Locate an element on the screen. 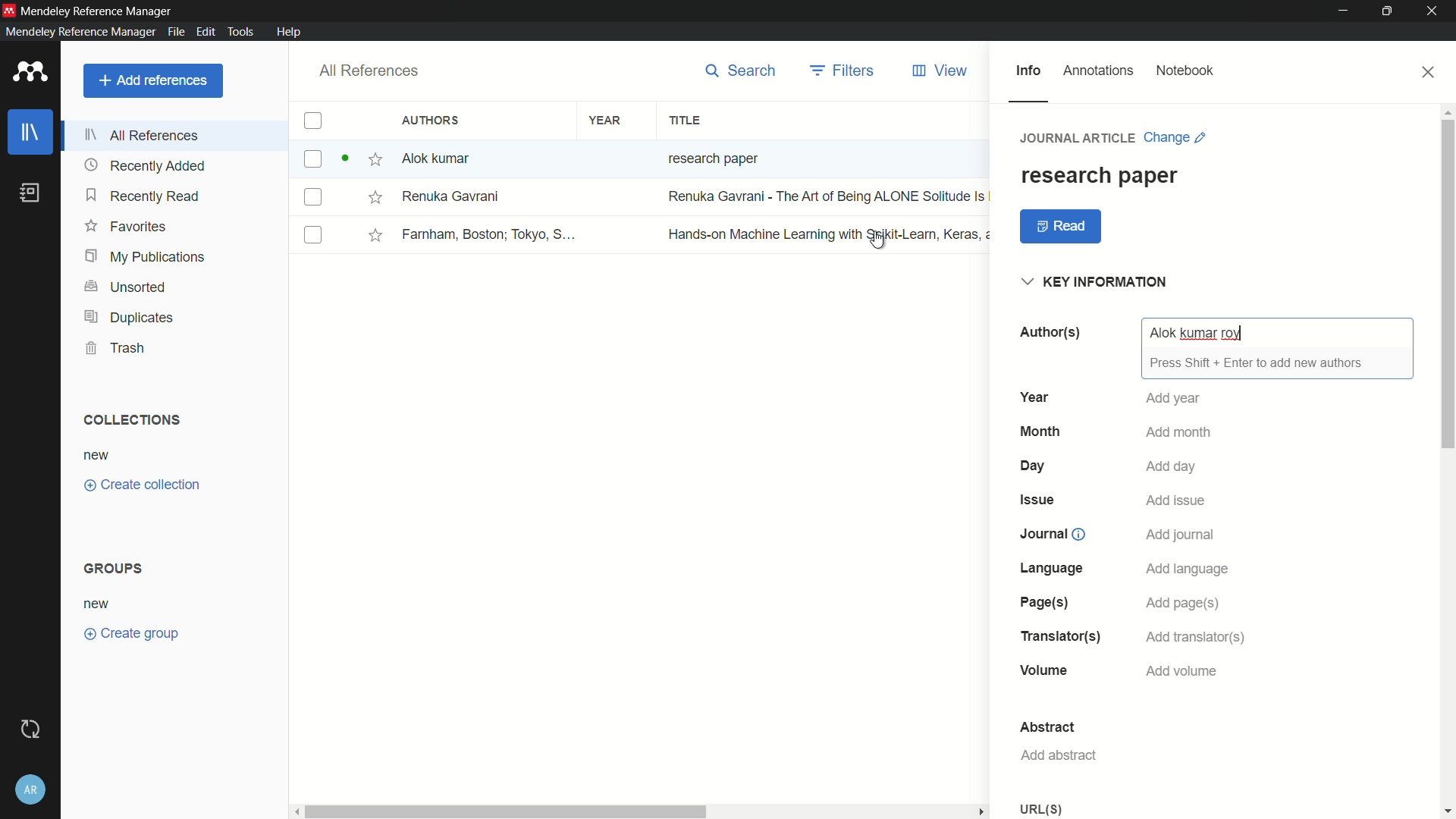  add month is located at coordinates (1178, 431).